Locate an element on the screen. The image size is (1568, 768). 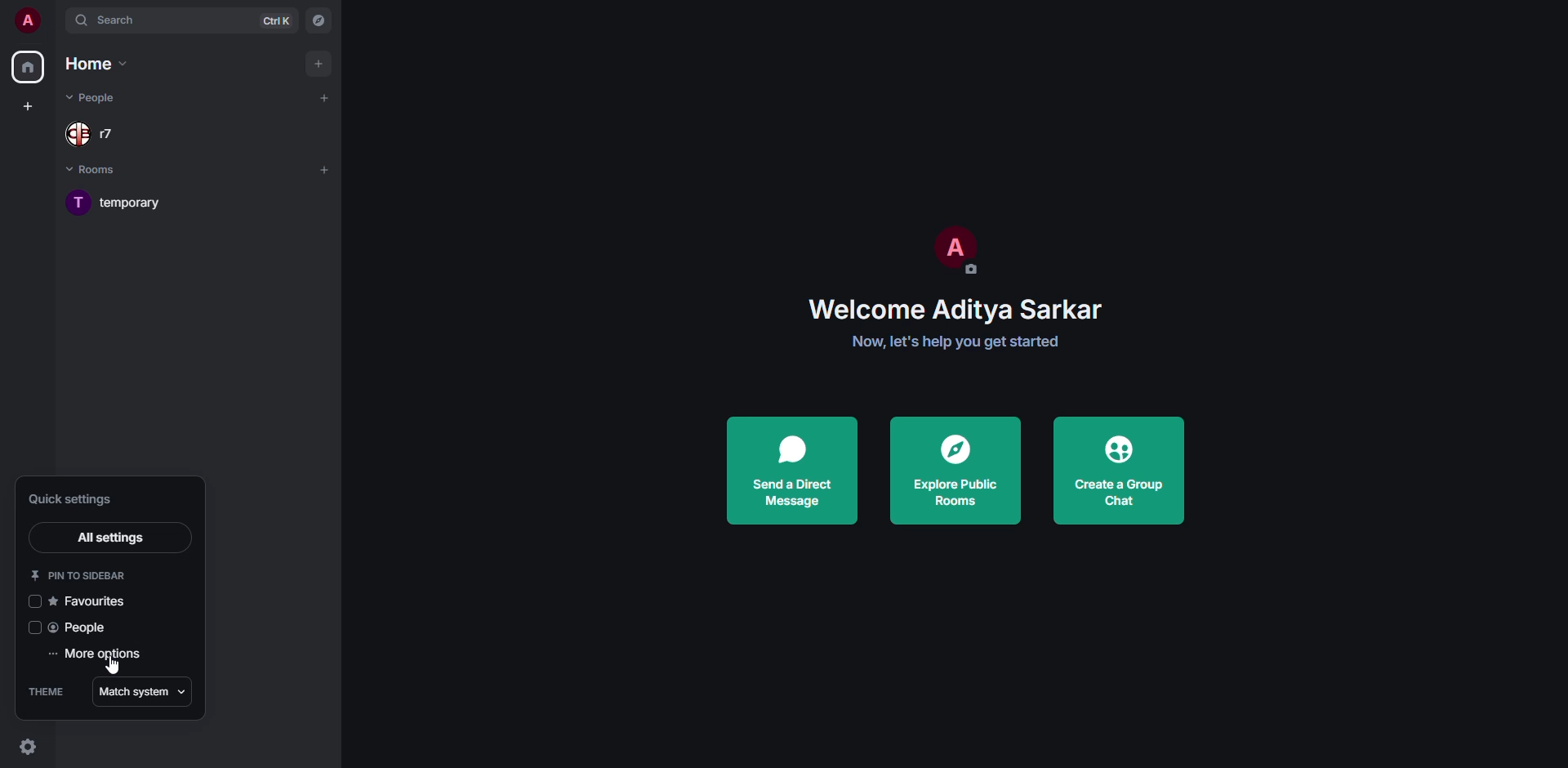
explore public rooms is located at coordinates (953, 468).